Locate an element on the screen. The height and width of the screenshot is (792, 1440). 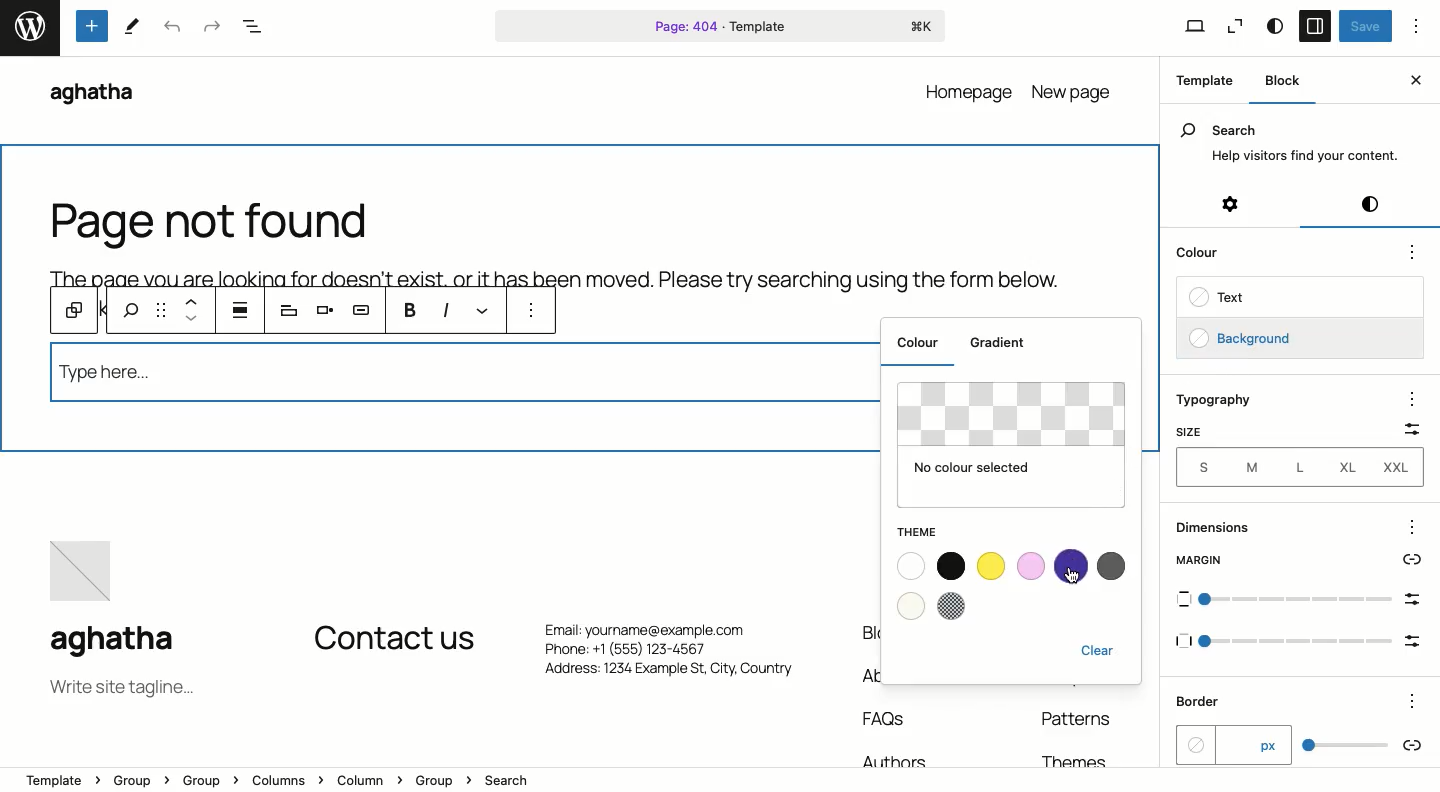
Options is located at coordinates (1422, 27).